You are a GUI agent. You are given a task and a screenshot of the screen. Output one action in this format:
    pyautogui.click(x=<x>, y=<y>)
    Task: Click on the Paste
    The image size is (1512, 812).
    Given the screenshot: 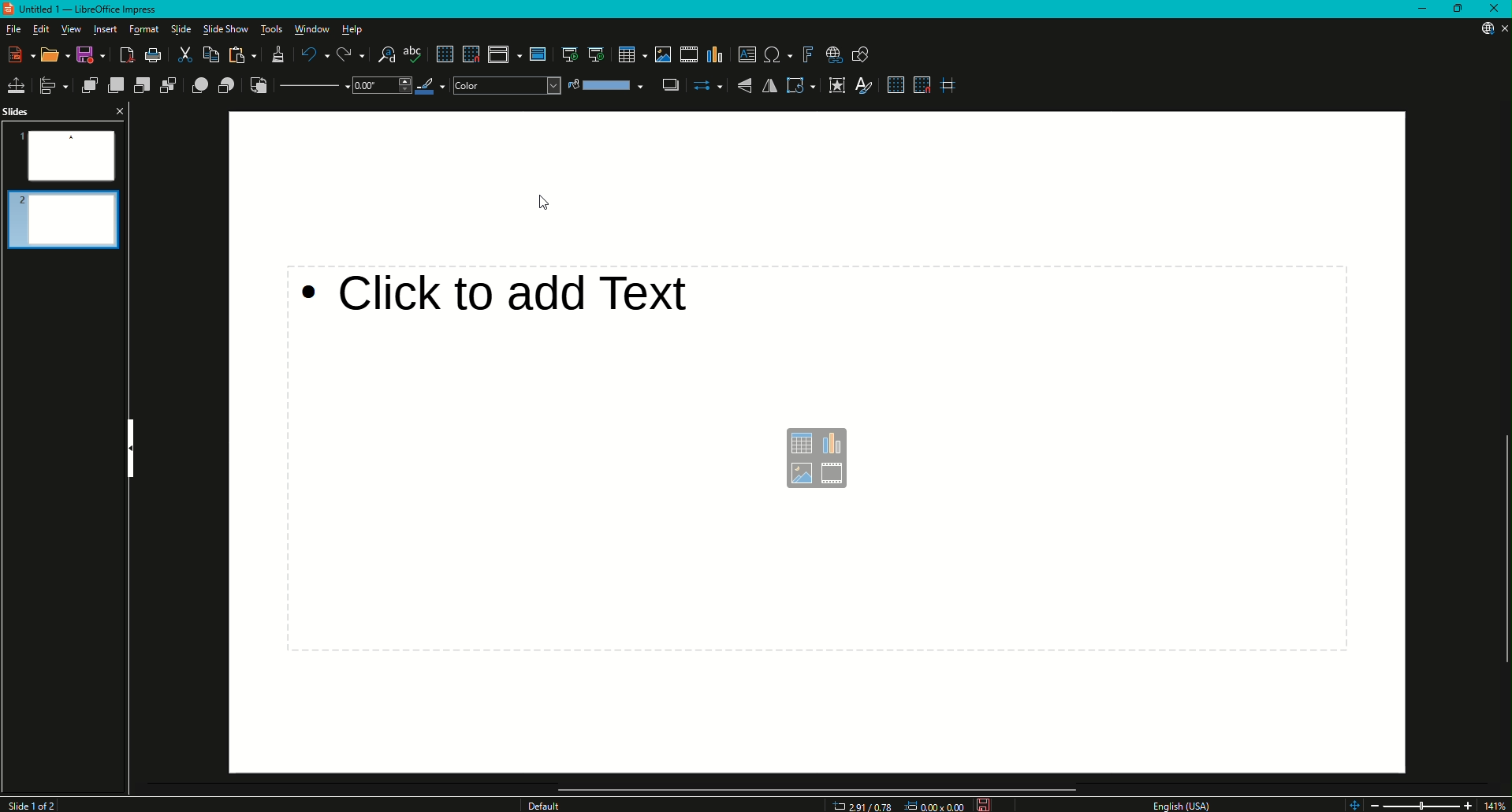 What is the action you would take?
    pyautogui.click(x=240, y=57)
    